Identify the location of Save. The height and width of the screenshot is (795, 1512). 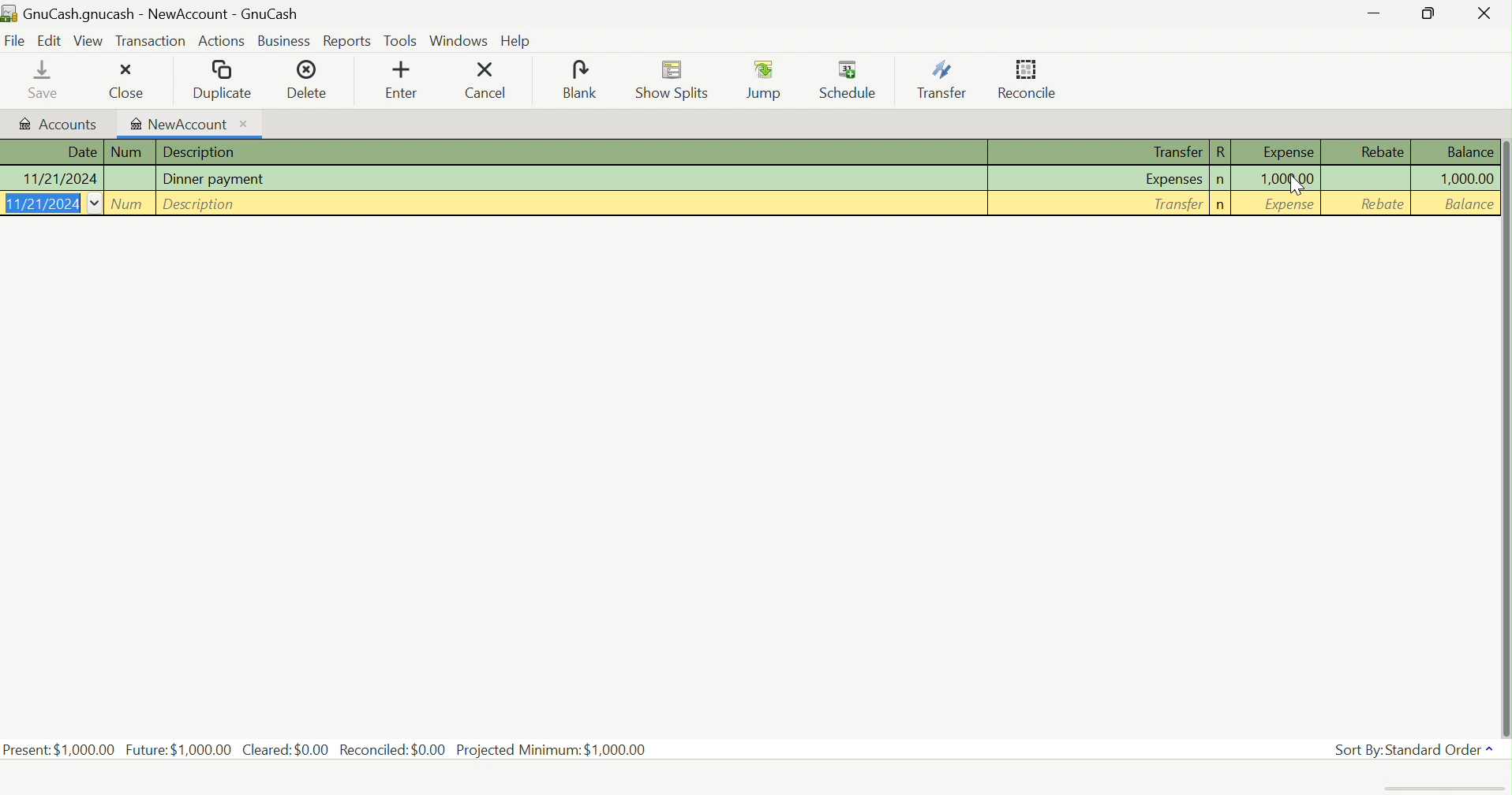
(32, 79).